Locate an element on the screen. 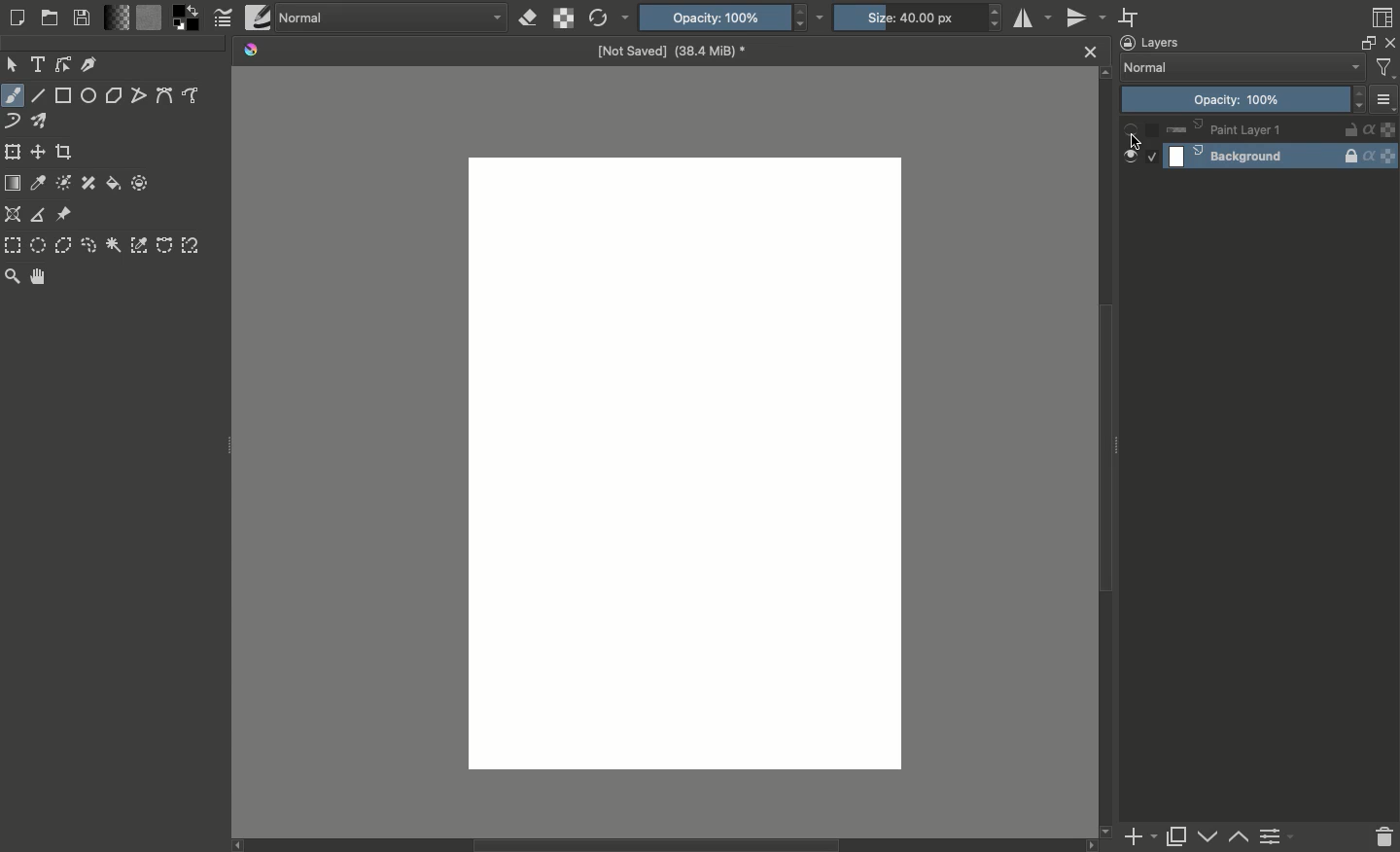 Image resolution: width=1400 pixels, height=852 pixels. Float decker is located at coordinates (1369, 45).